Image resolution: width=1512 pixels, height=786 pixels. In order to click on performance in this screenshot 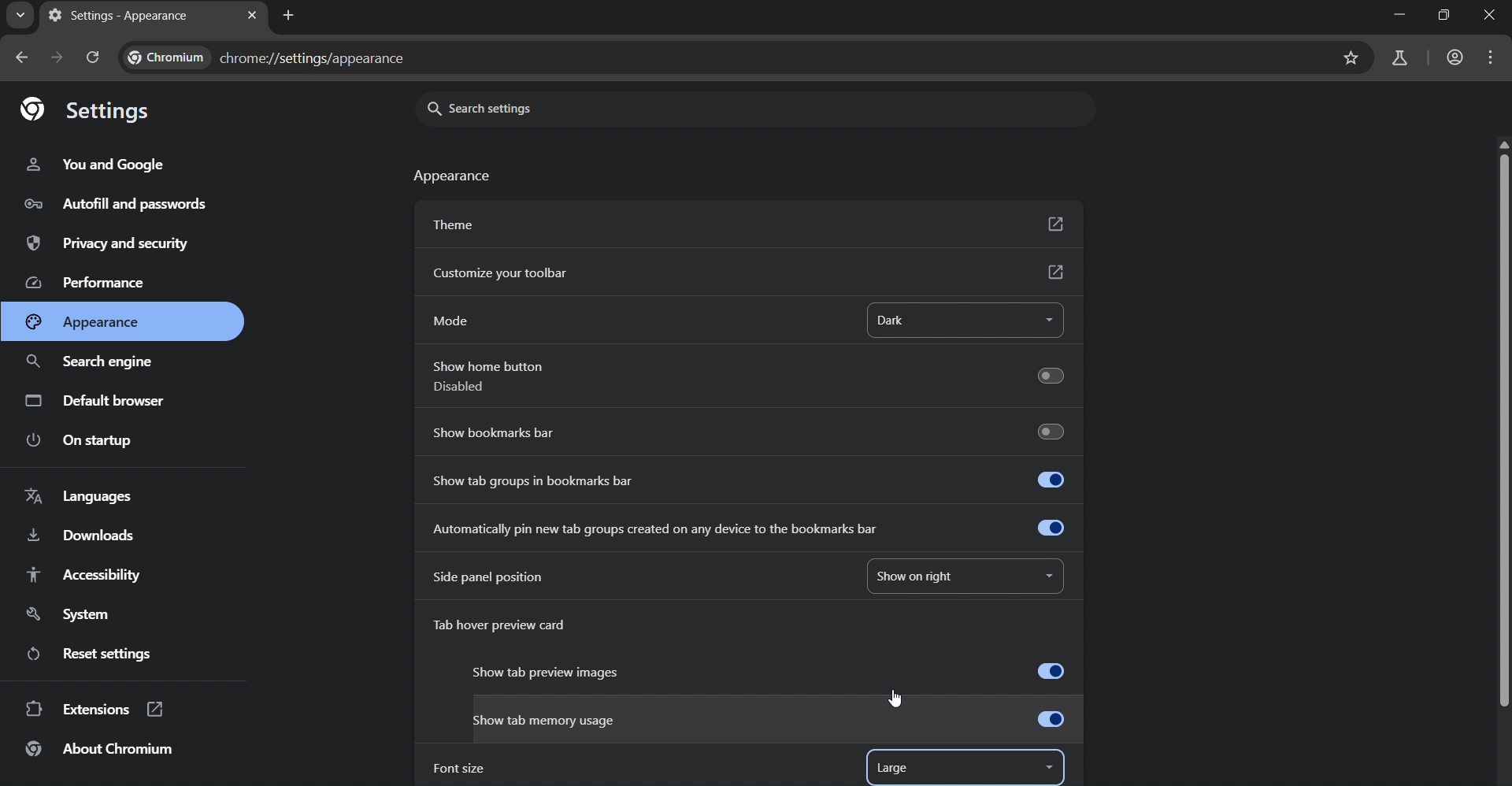, I will do `click(83, 284)`.